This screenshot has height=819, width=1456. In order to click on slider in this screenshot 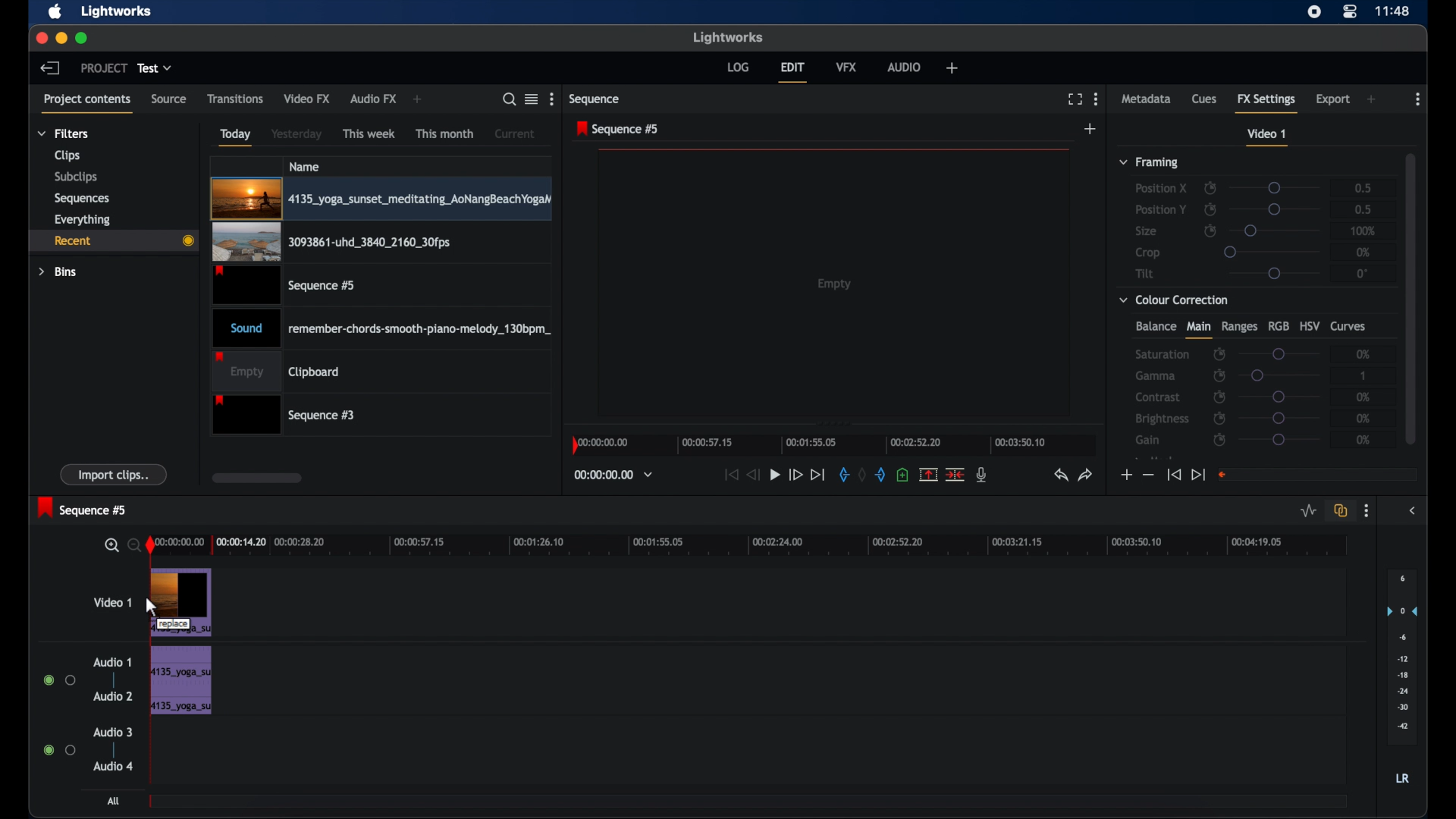, I will do `click(1274, 230)`.